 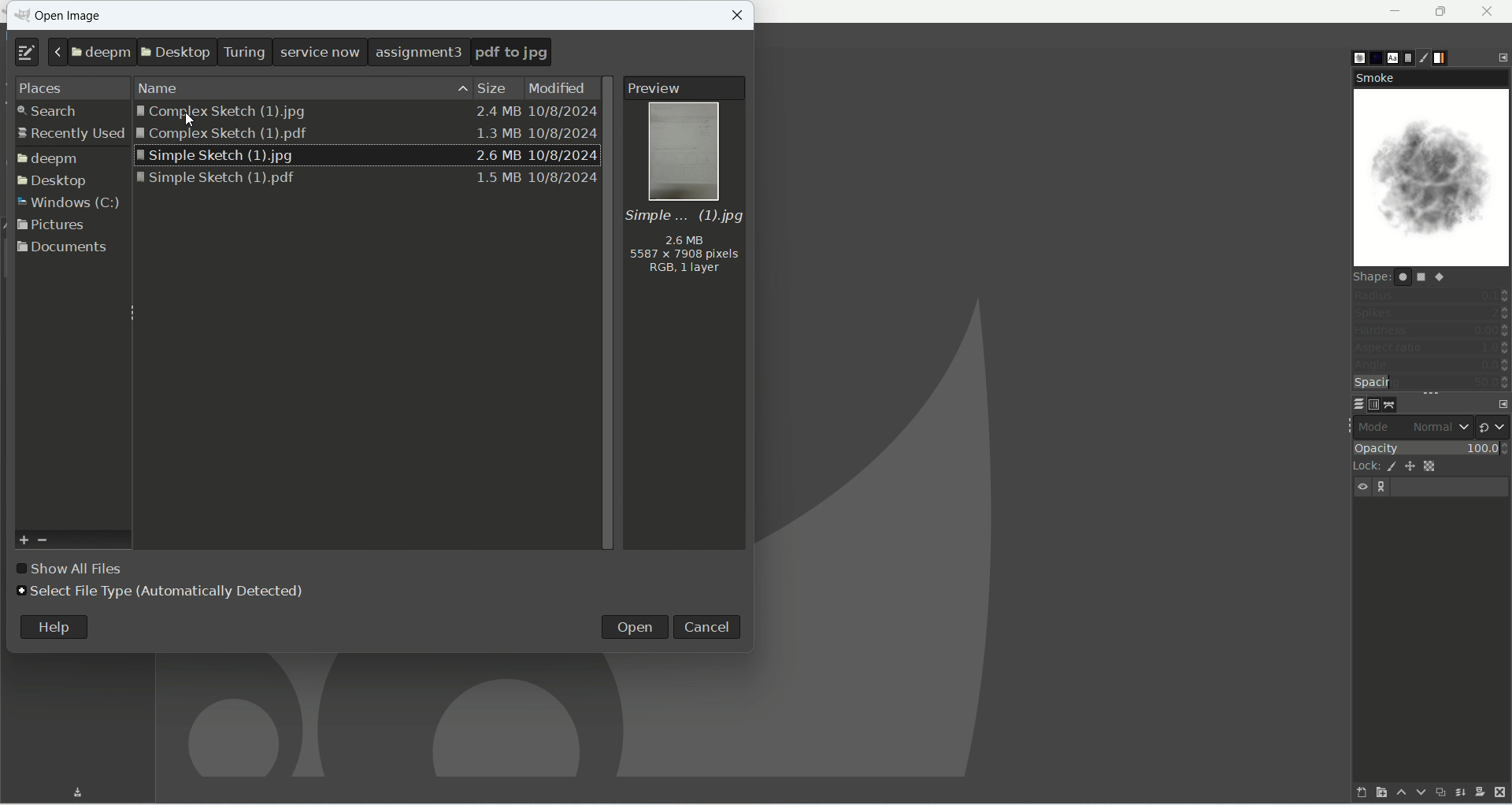 I want to click on pdf to png, so click(x=511, y=53).